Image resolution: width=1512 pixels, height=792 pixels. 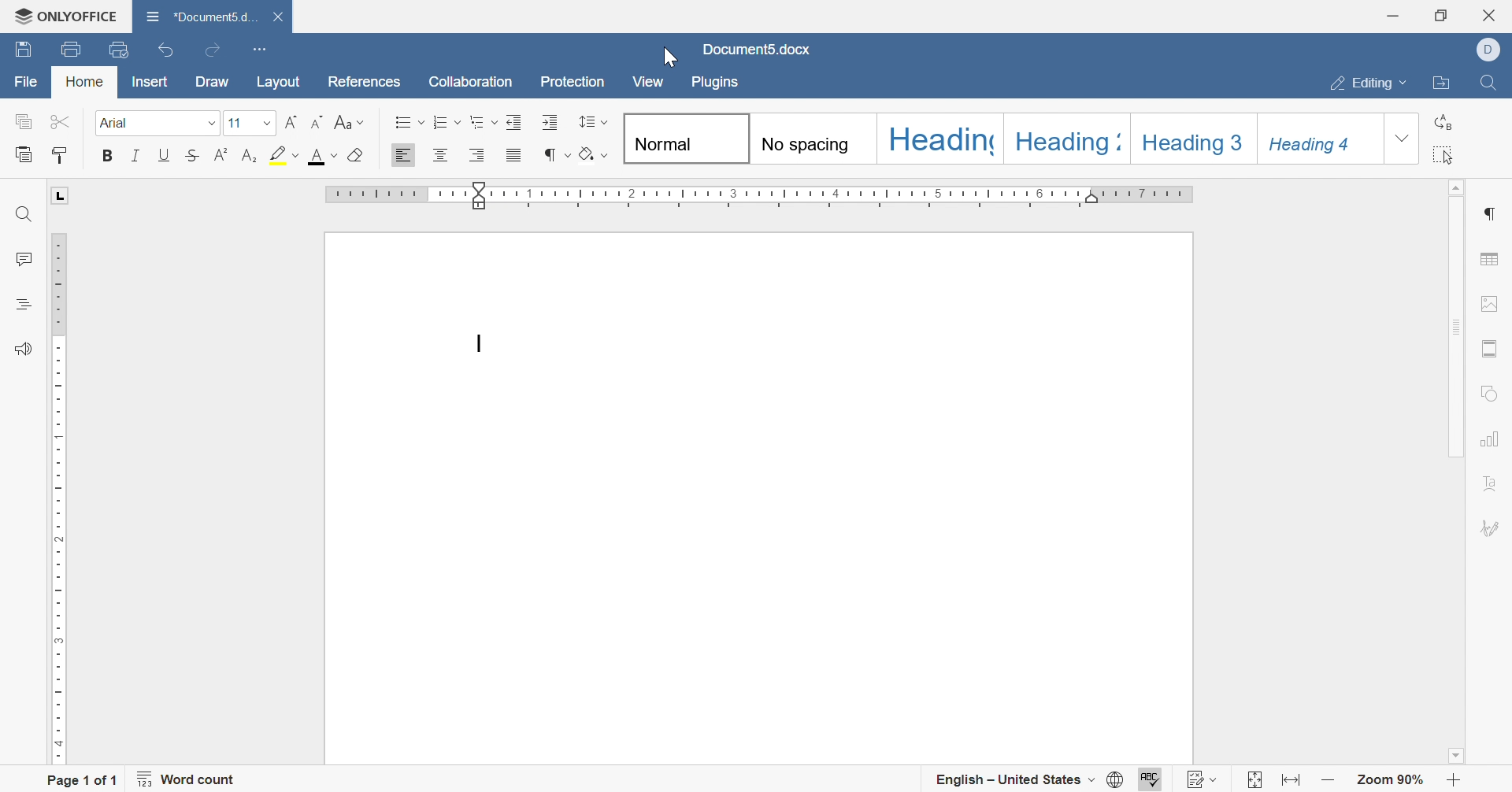 What do you see at coordinates (261, 47) in the screenshot?
I see `customize quick access settings` at bounding box center [261, 47].